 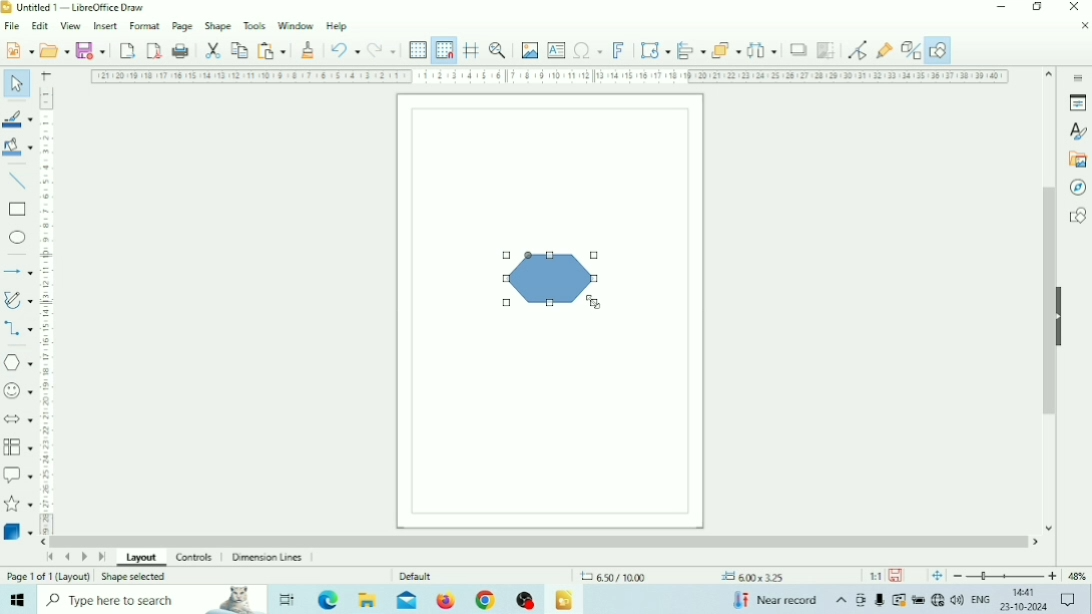 I want to click on Close, so click(x=1073, y=7).